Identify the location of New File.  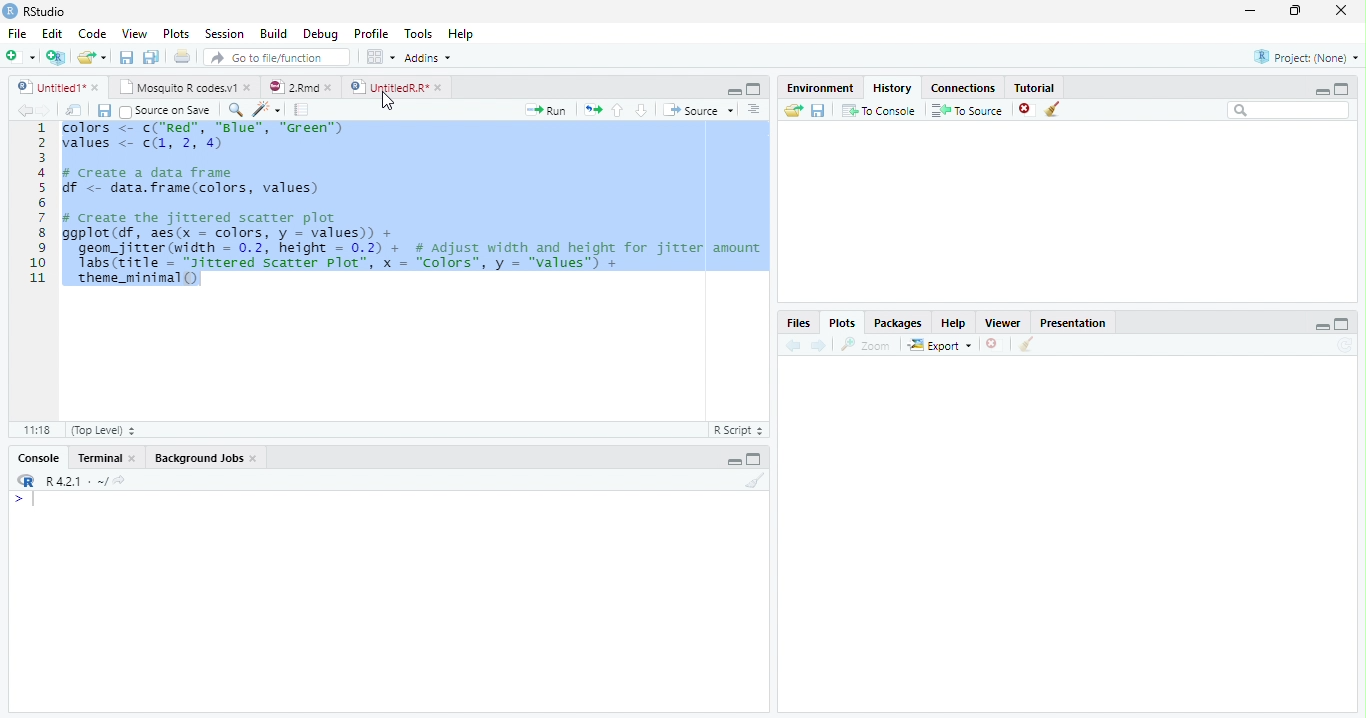
(21, 57).